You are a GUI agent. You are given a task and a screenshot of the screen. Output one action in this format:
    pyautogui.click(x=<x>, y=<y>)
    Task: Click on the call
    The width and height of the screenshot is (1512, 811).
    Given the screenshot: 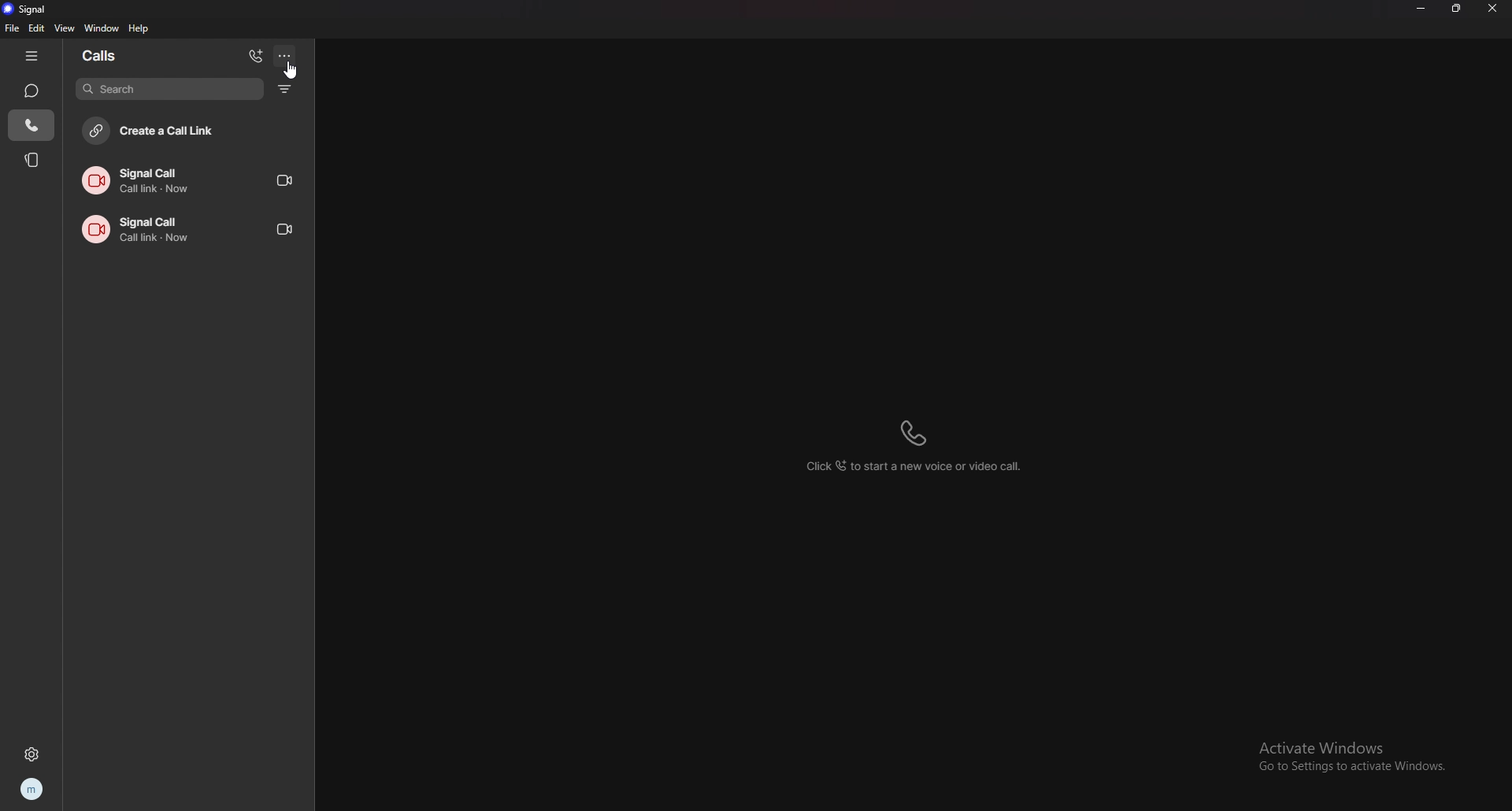 What is the action you would take?
    pyautogui.click(x=193, y=180)
    